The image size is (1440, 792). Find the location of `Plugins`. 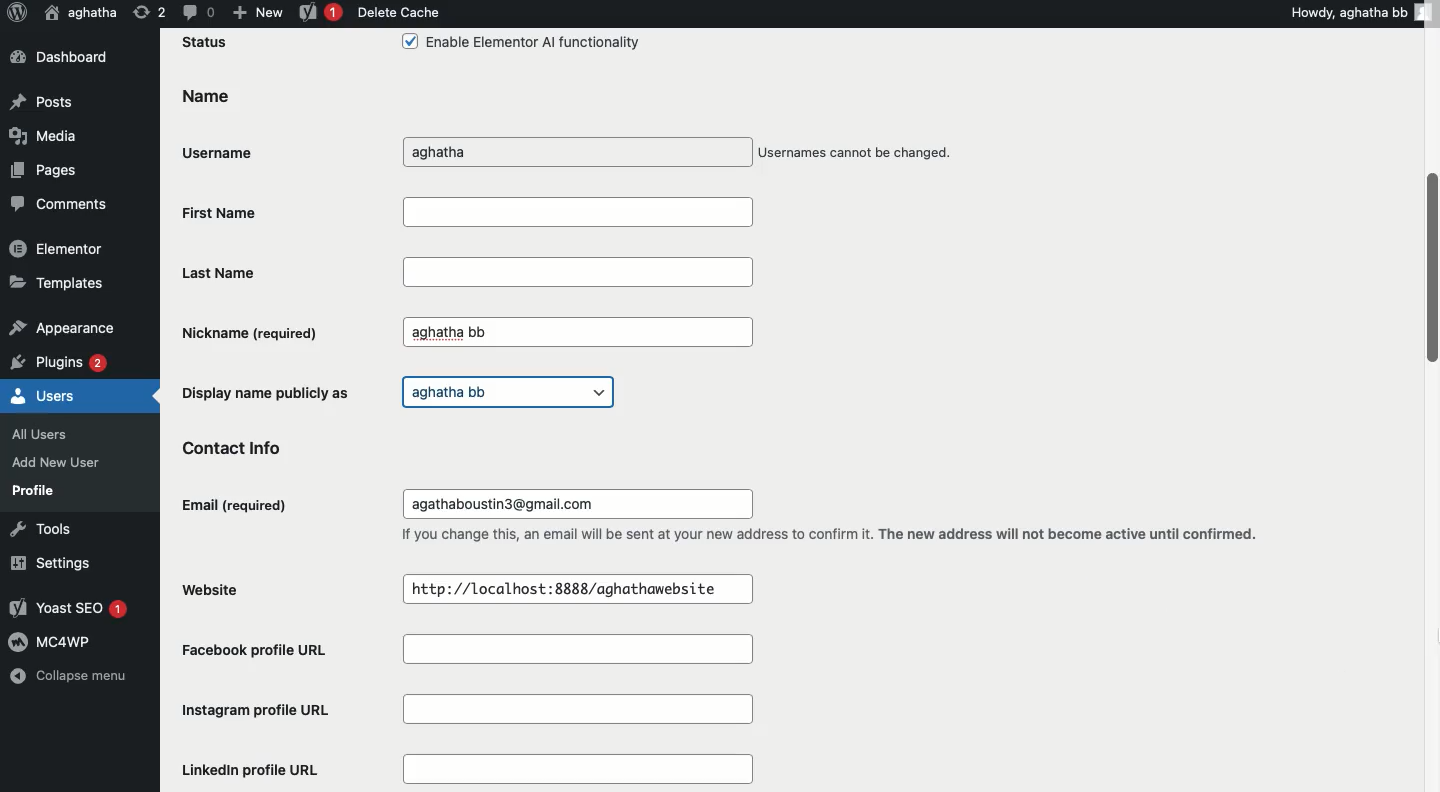

Plugins is located at coordinates (61, 360).